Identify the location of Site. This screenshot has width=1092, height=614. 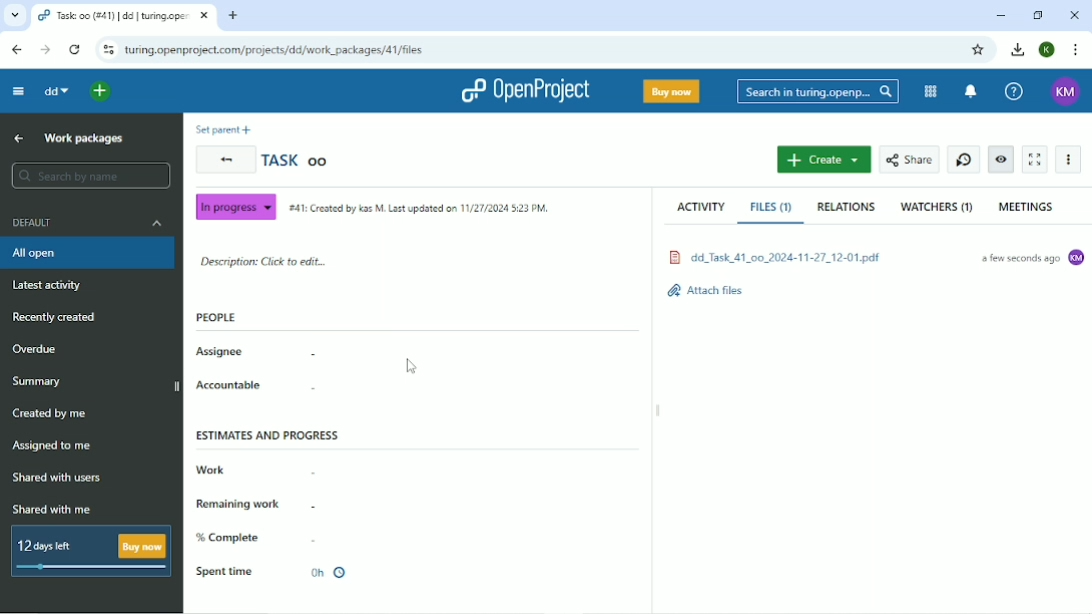
(276, 49).